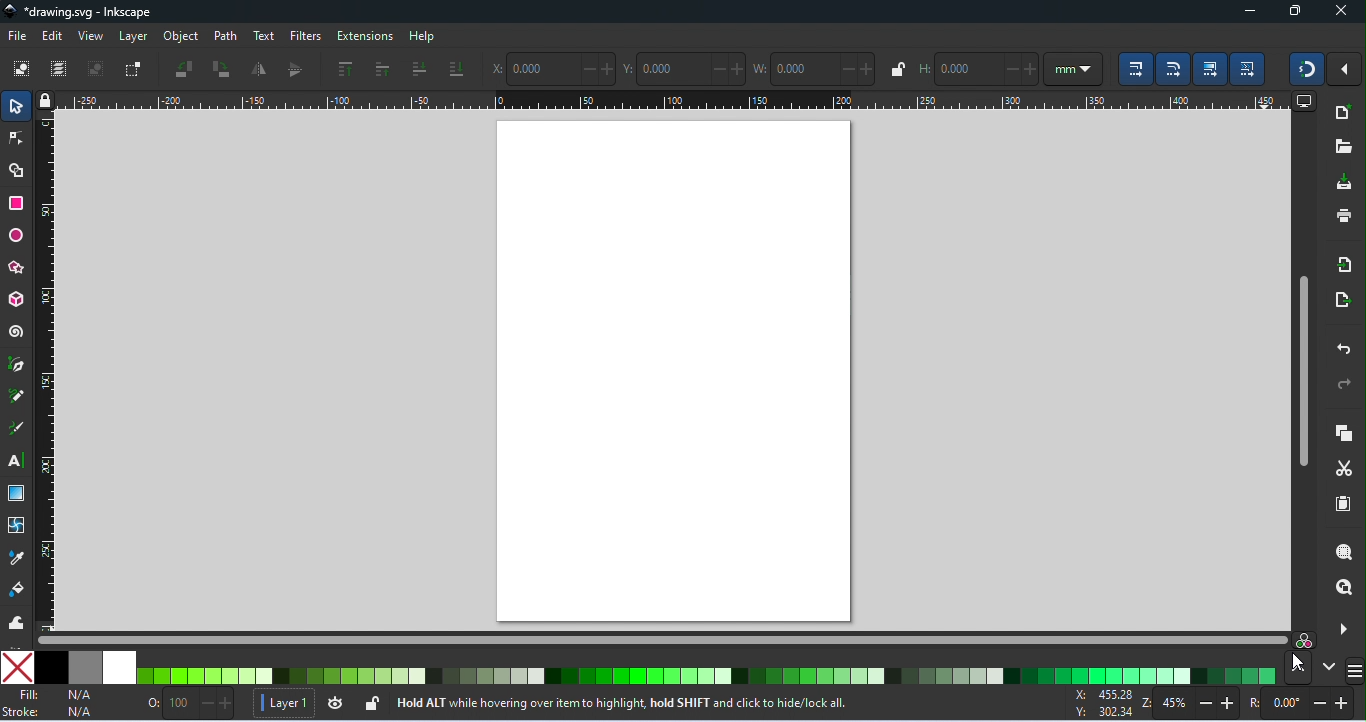 This screenshot has height=722, width=1366. Describe the element at coordinates (1342, 506) in the screenshot. I see `paste` at that location.